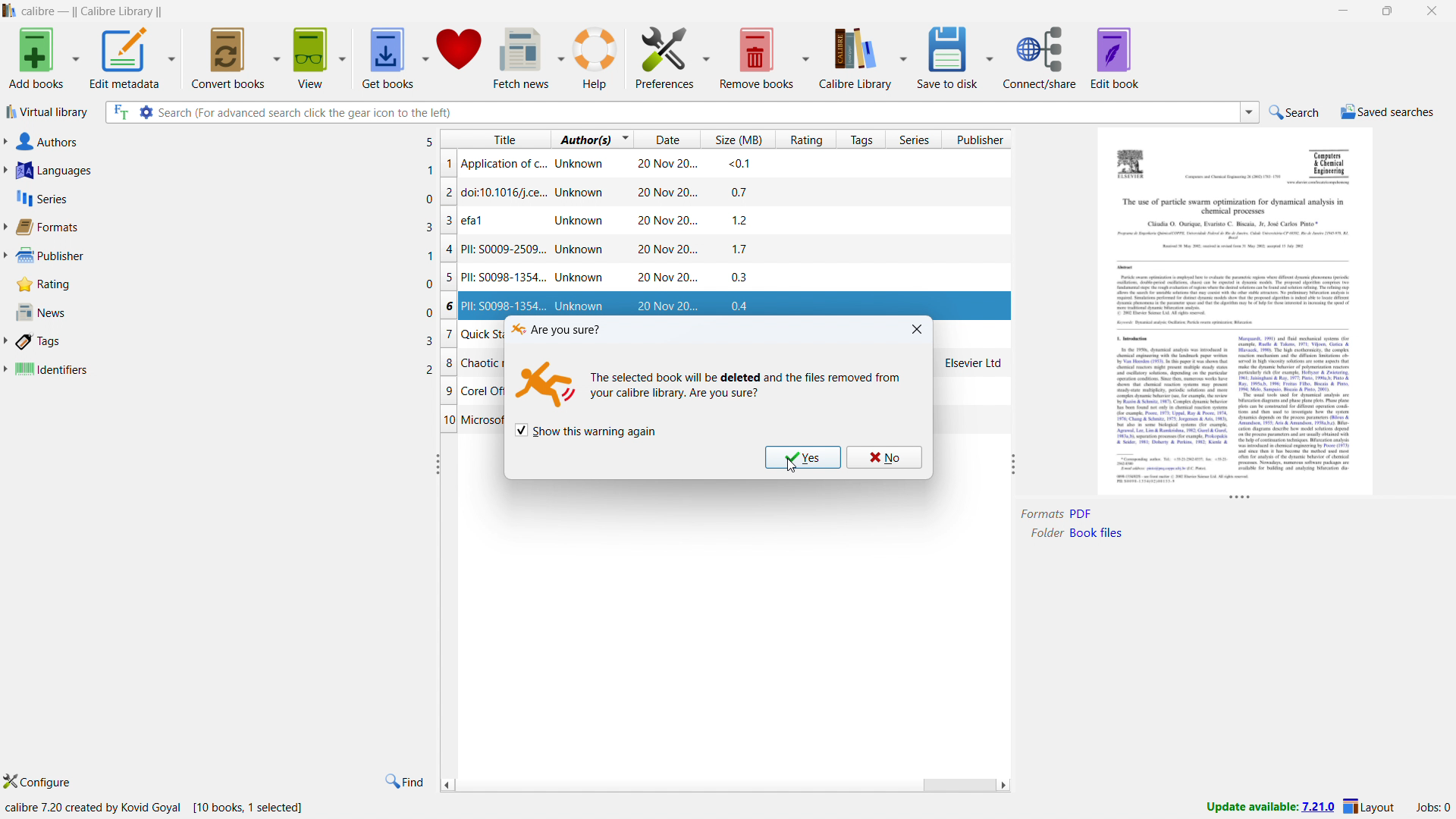 This screenshot has height=819, width=1456. I want to click on advanced search, so click(146, 112).